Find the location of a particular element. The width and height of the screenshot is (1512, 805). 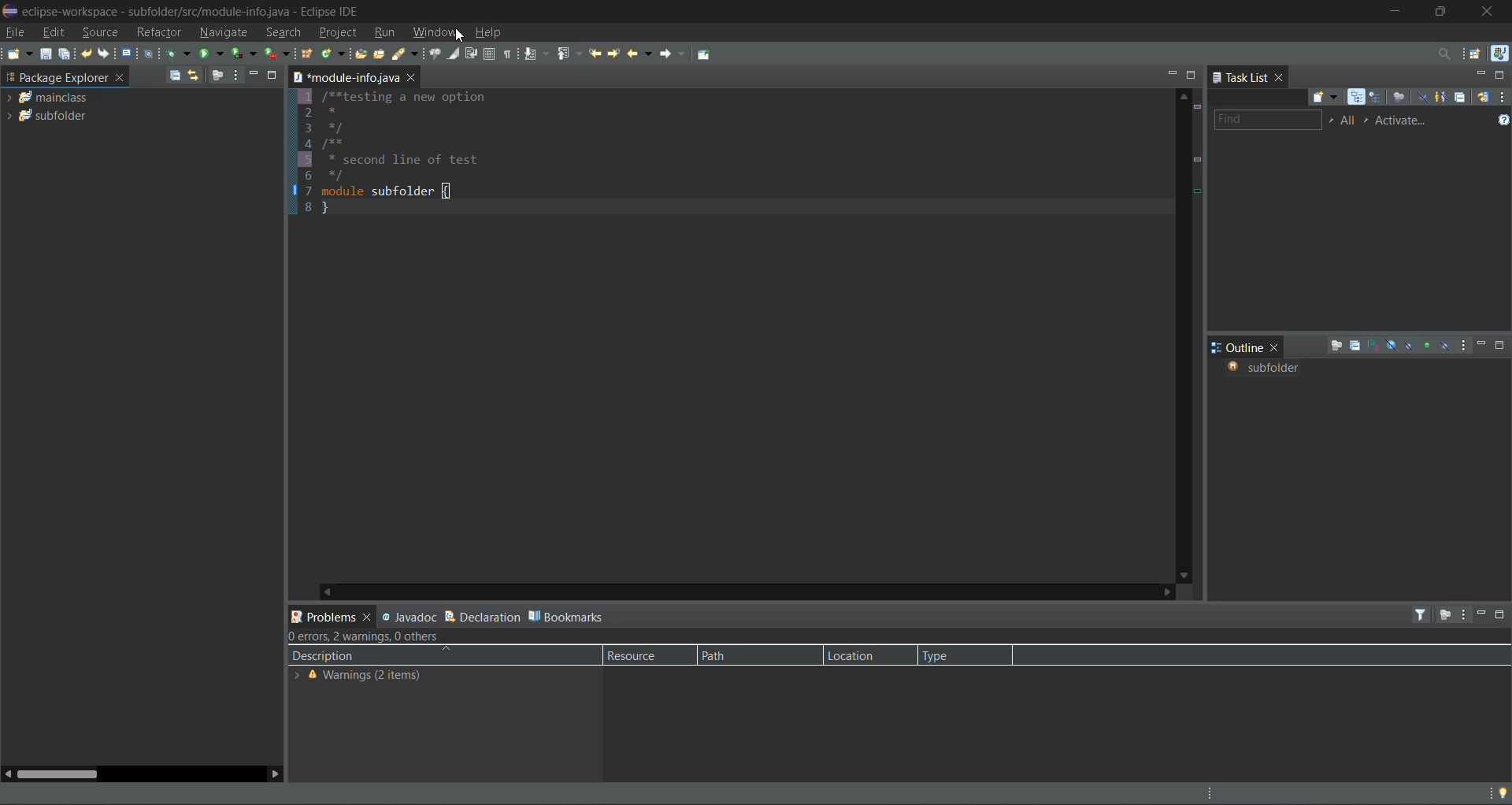

navigate is located at coordinates (225, 33).